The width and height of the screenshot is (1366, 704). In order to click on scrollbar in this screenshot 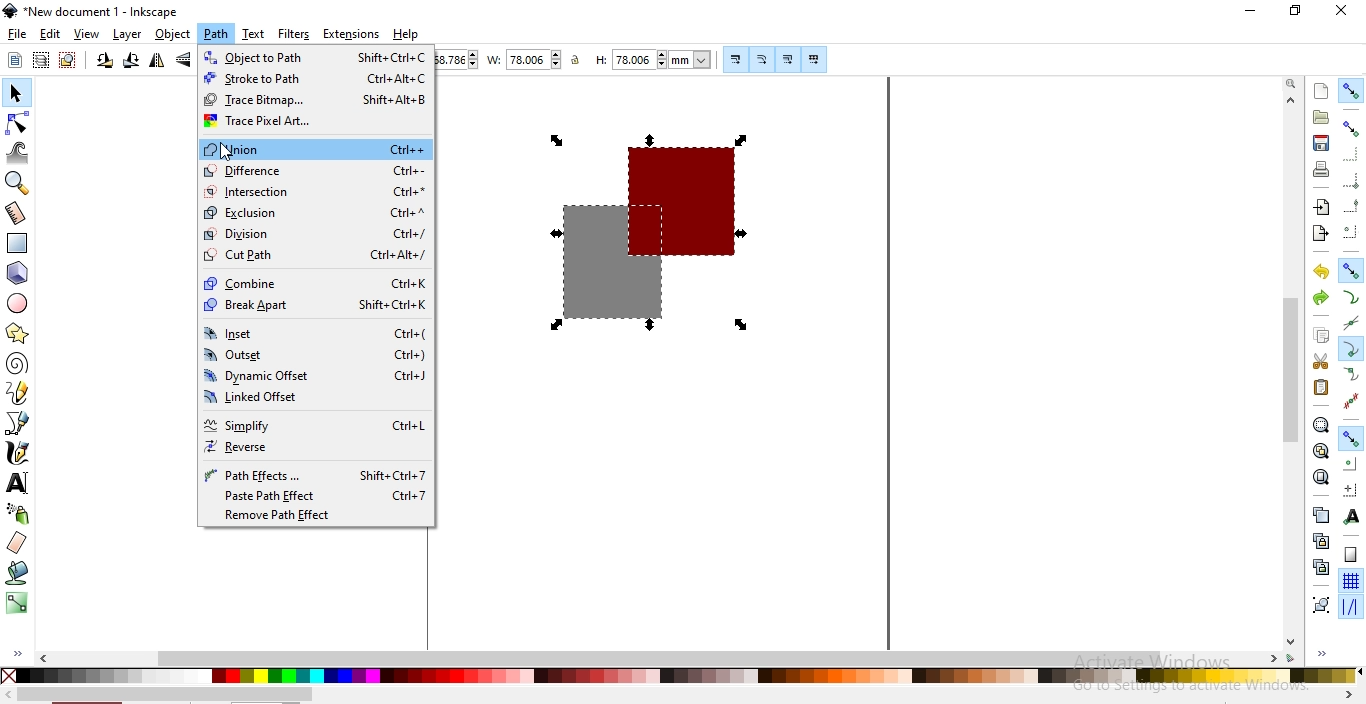, I will do `click(1292, 369)`.